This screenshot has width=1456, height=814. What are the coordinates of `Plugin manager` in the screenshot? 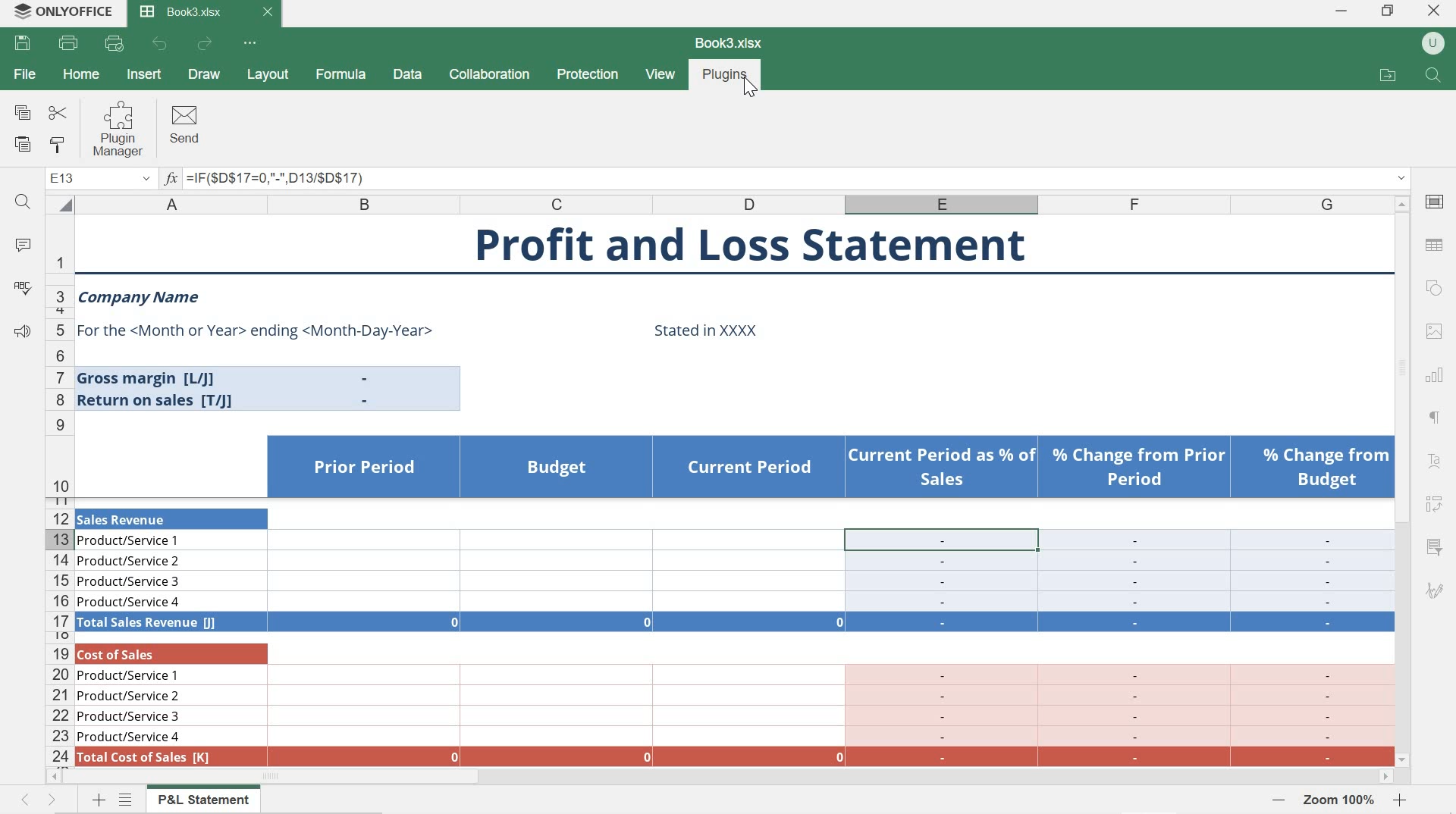 It's located at (124, 130).